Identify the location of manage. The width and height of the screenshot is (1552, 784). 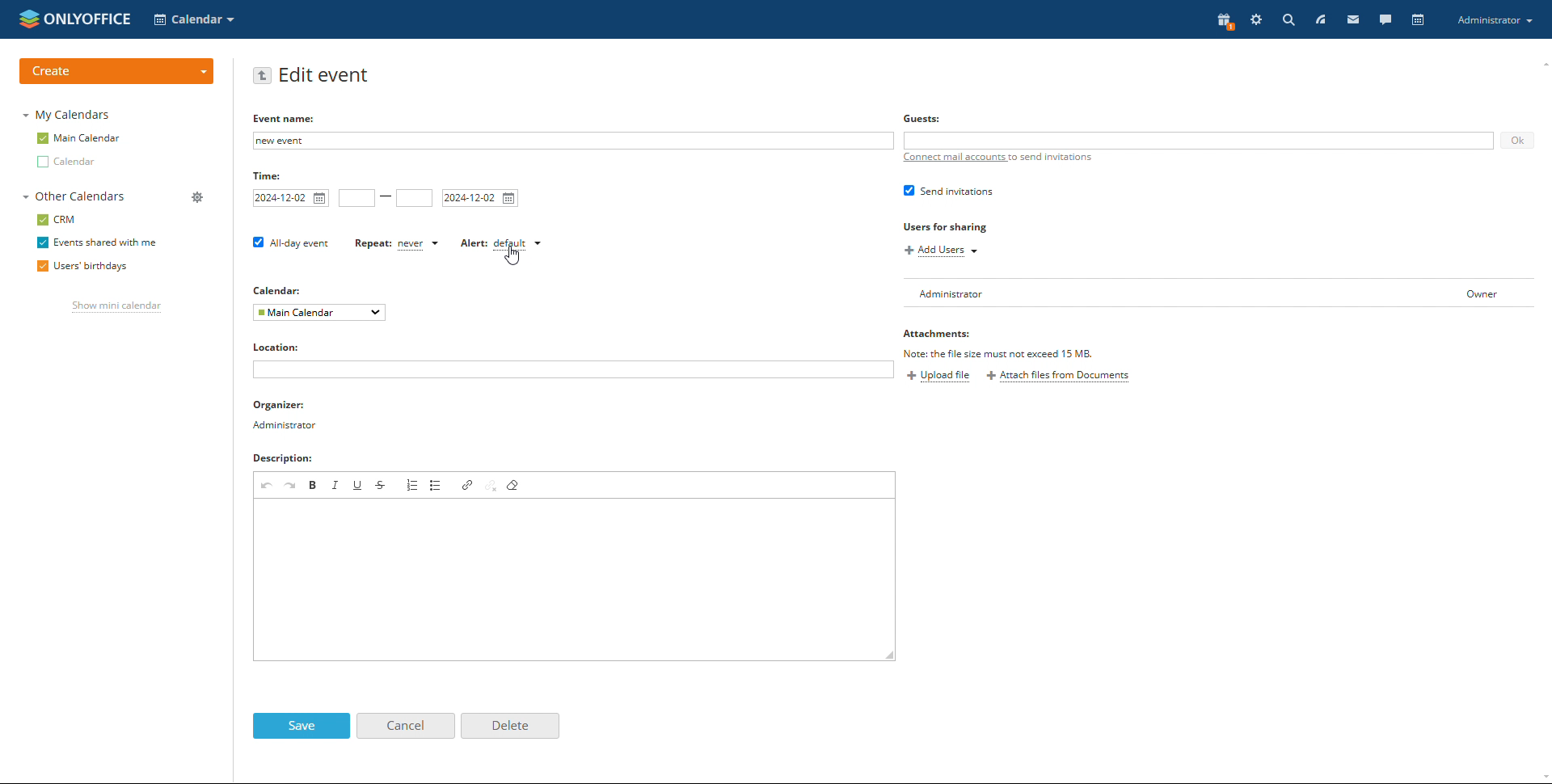
(197, 197).